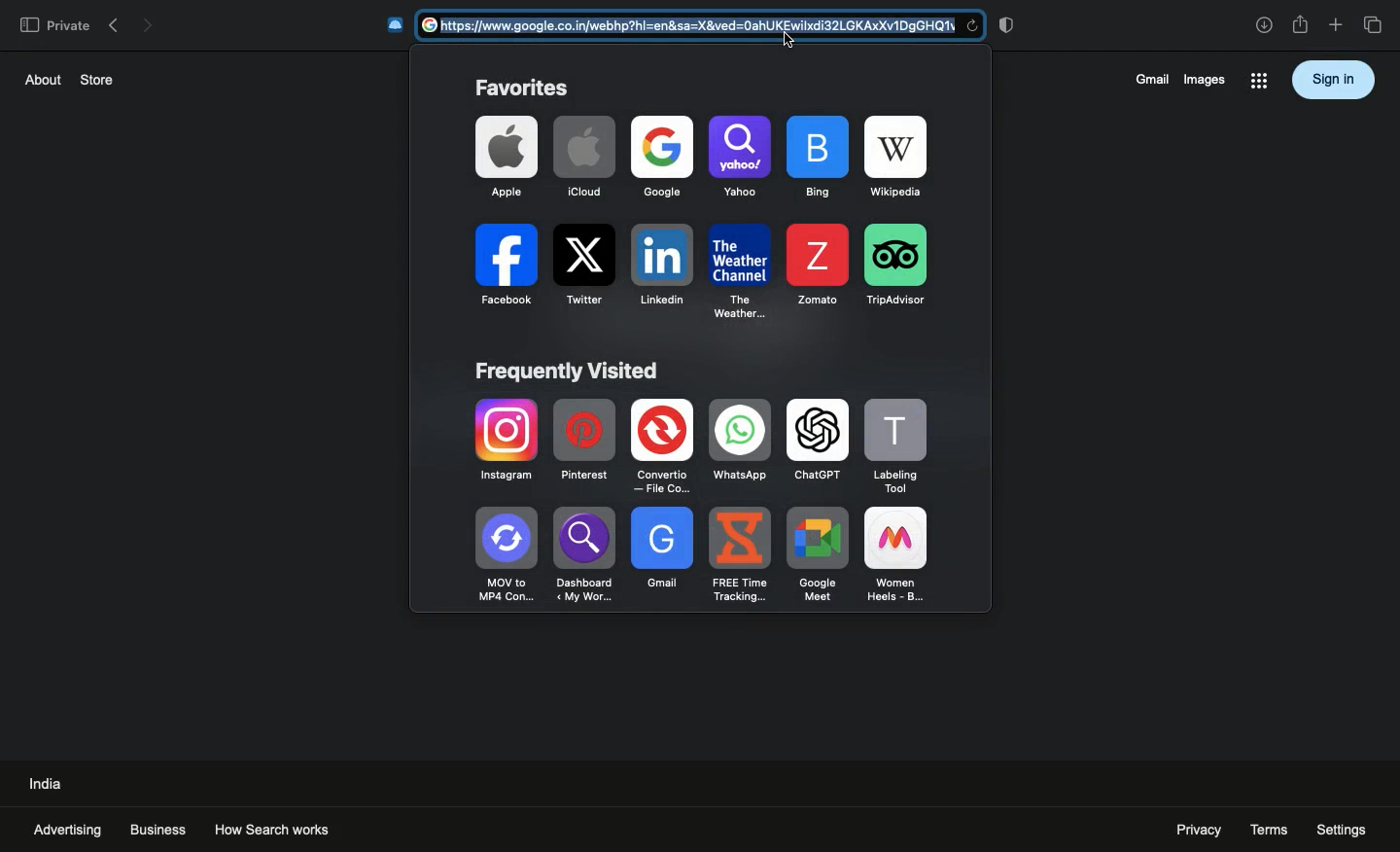  I want to click on business, so click(158, 829).